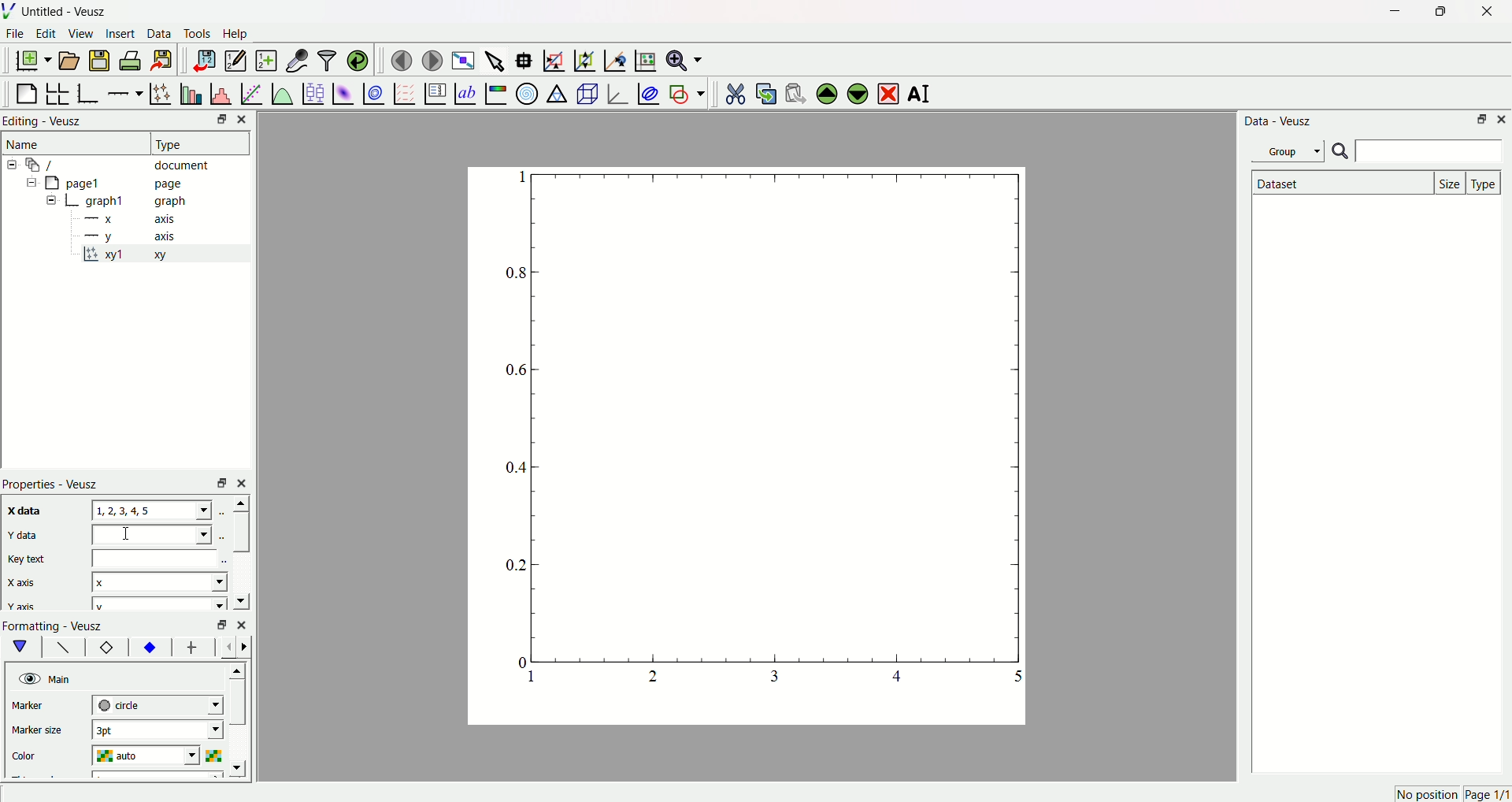 This screenshot has width=1512, height=802. Describe the element at coordinates (160, 581) in the screenshot. I see `x` at that location.